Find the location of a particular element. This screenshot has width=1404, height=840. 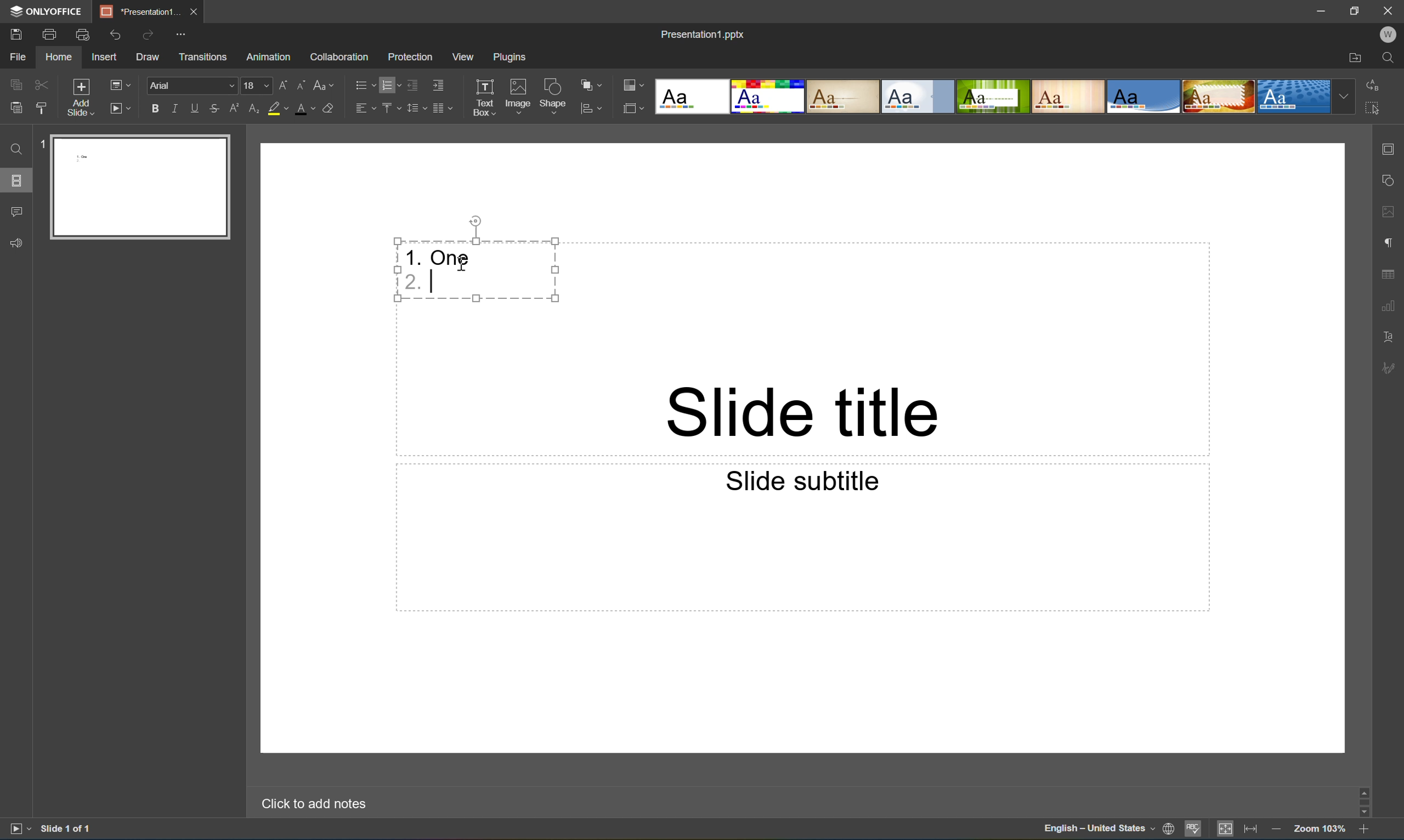

Bullets is located at coordinates (365, 82).